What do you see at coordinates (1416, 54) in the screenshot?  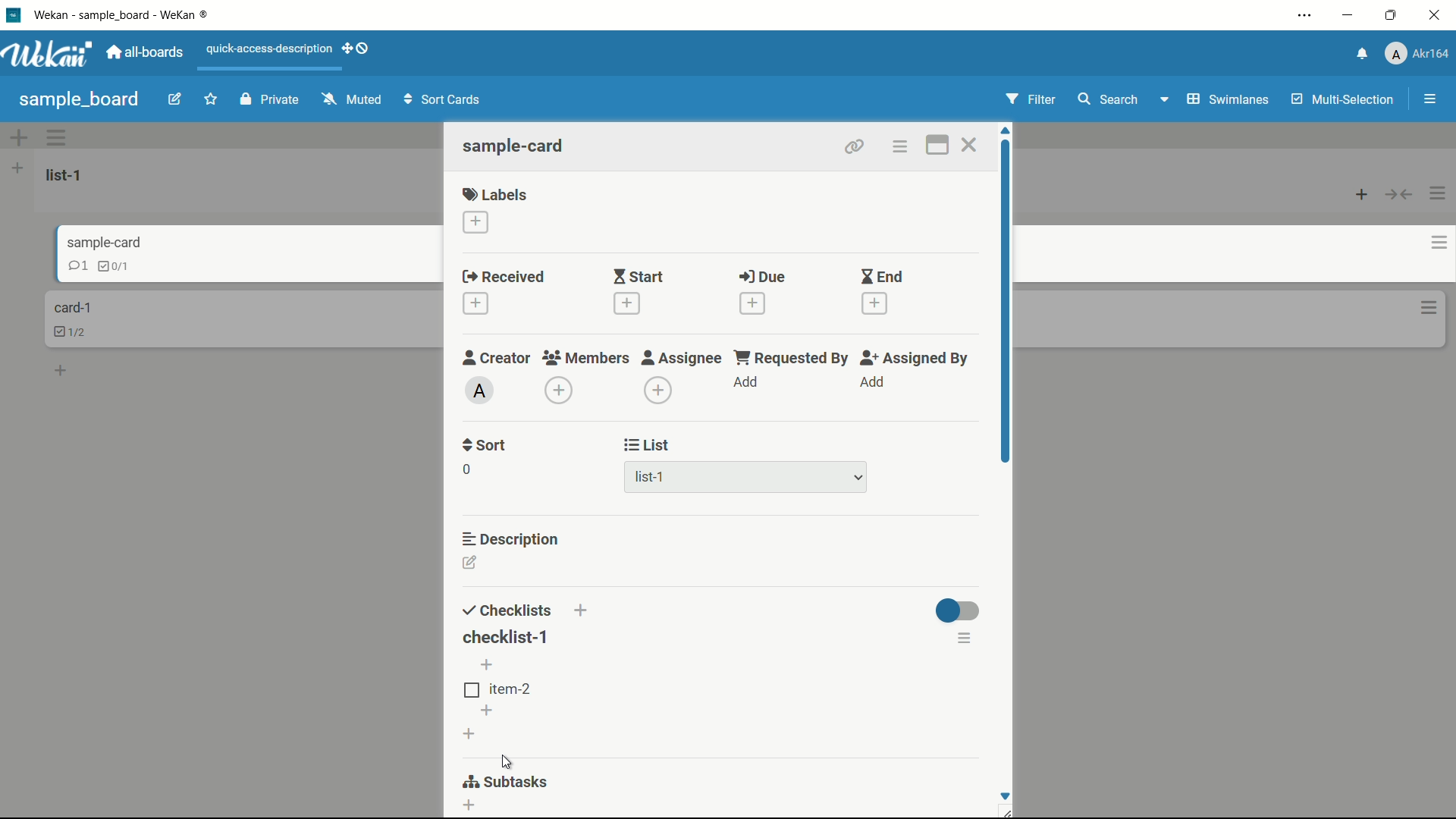 I see `profile` at bounding box center [1416, 54].